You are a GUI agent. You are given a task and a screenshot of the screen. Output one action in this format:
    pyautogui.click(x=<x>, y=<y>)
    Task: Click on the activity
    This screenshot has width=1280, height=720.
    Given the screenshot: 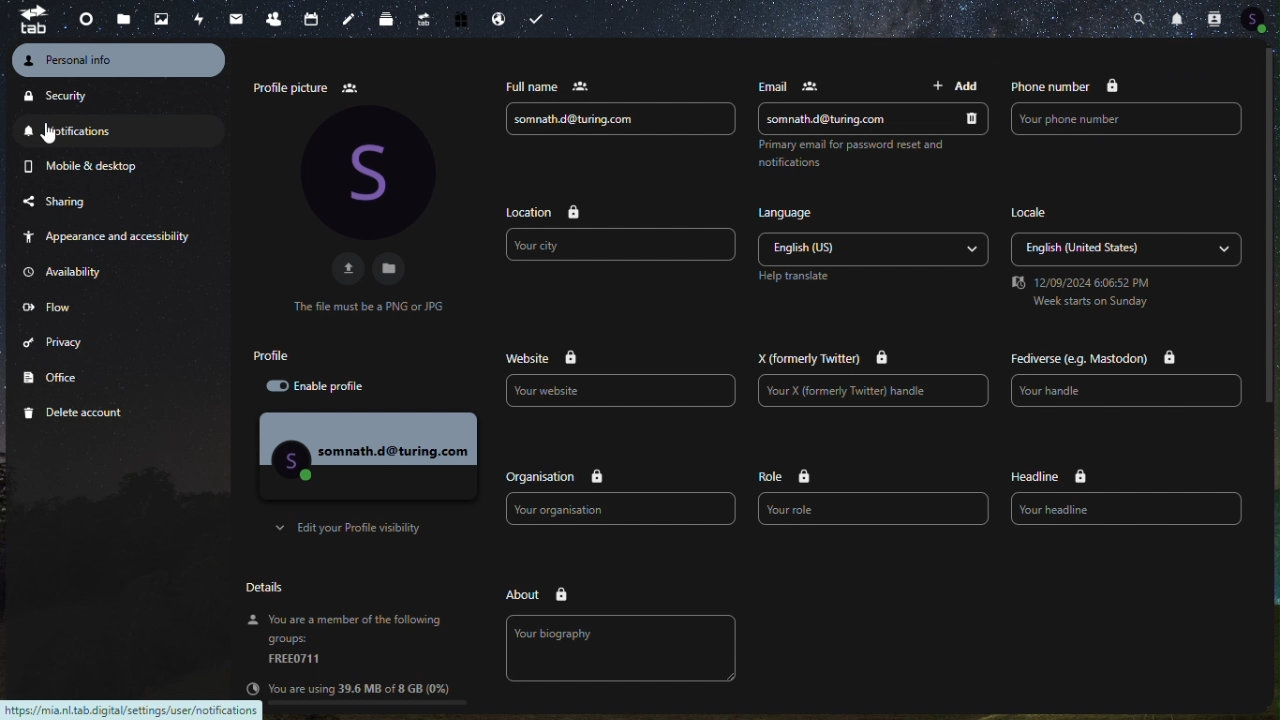 What is the action you would take?
    pyautogui.click(x=196, y=16)
    